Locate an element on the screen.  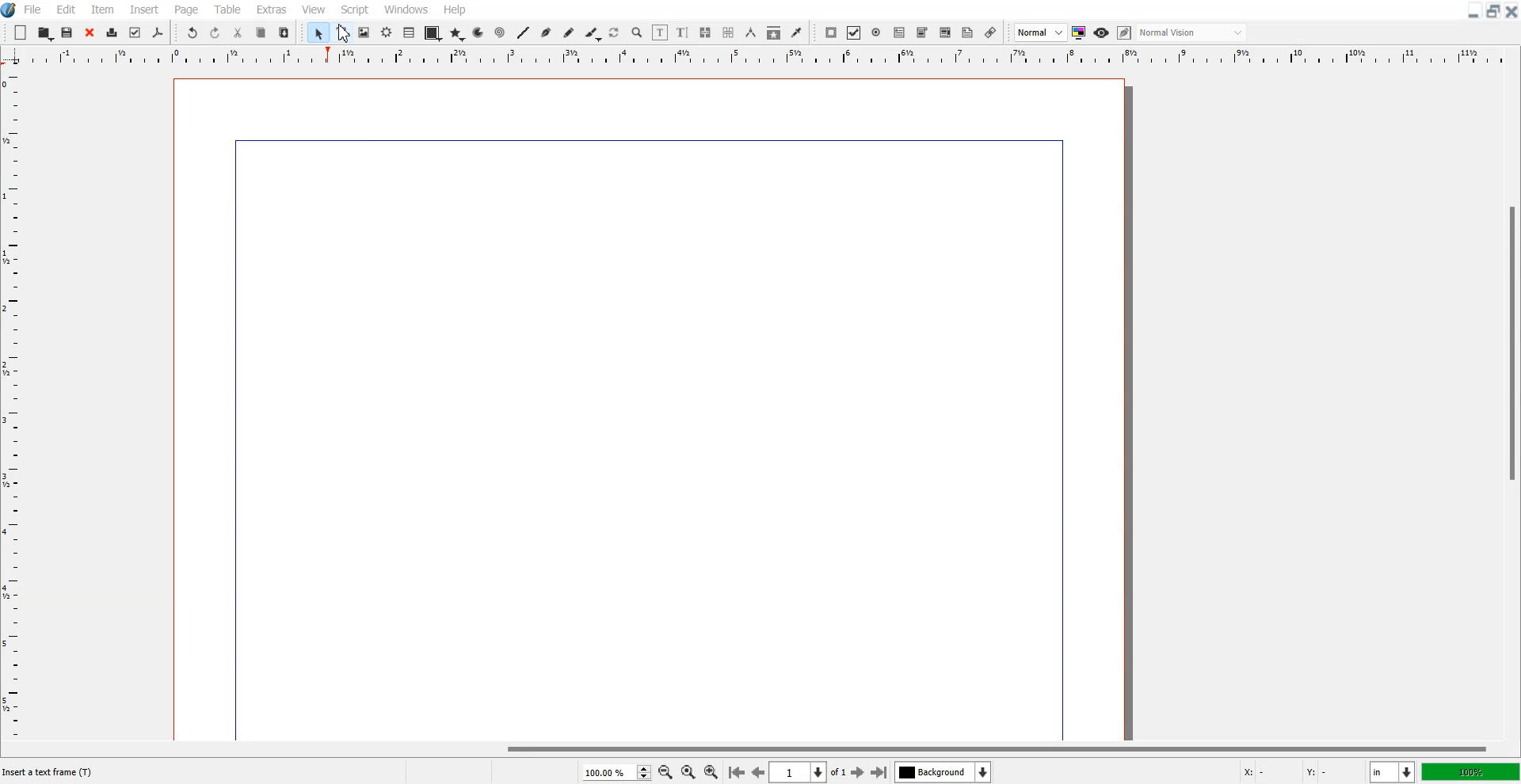
Edit text with story is located at coordinates (684, 33).